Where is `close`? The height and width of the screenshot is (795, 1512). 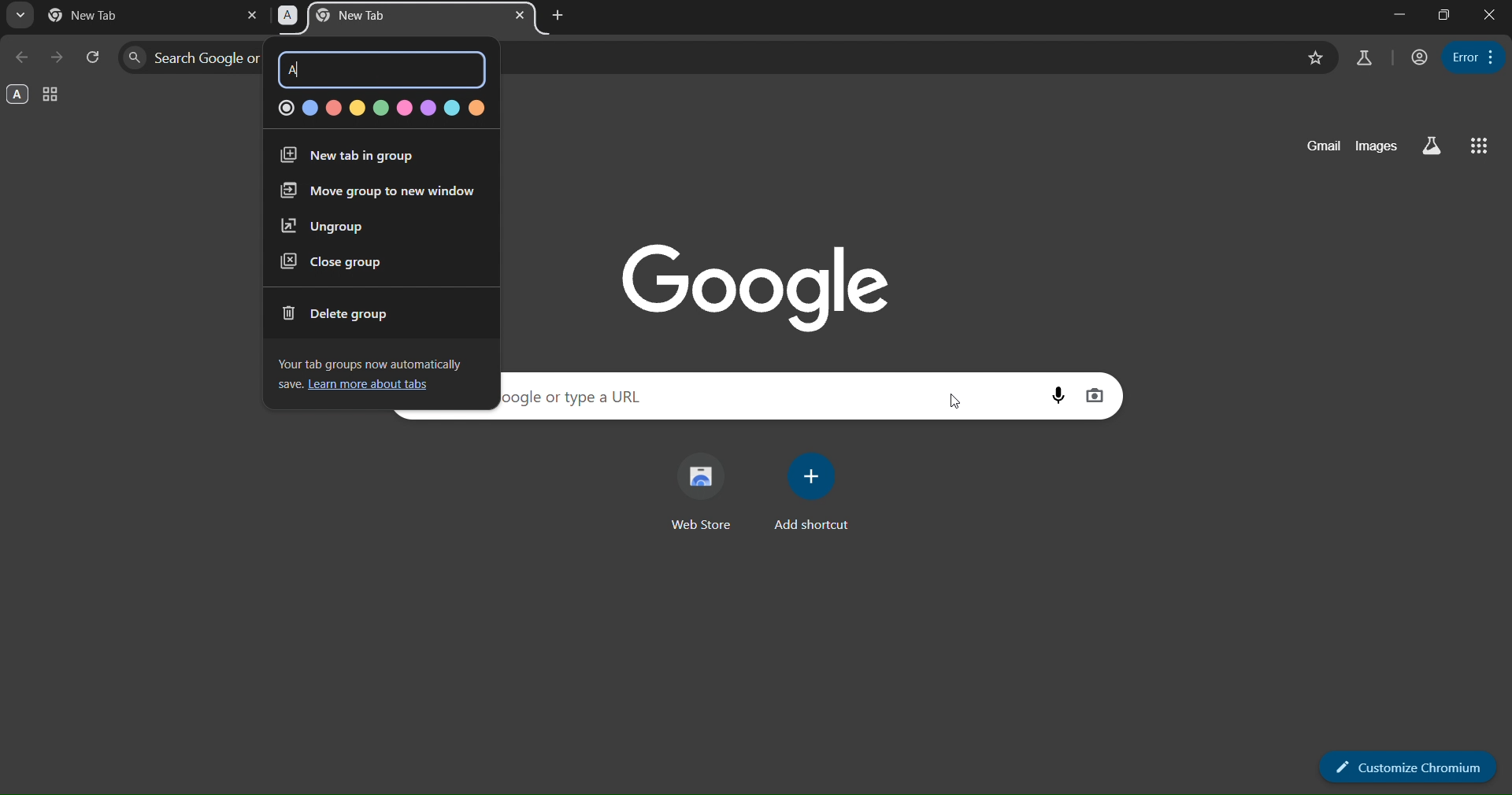 close is located at coordinates (519, 15).